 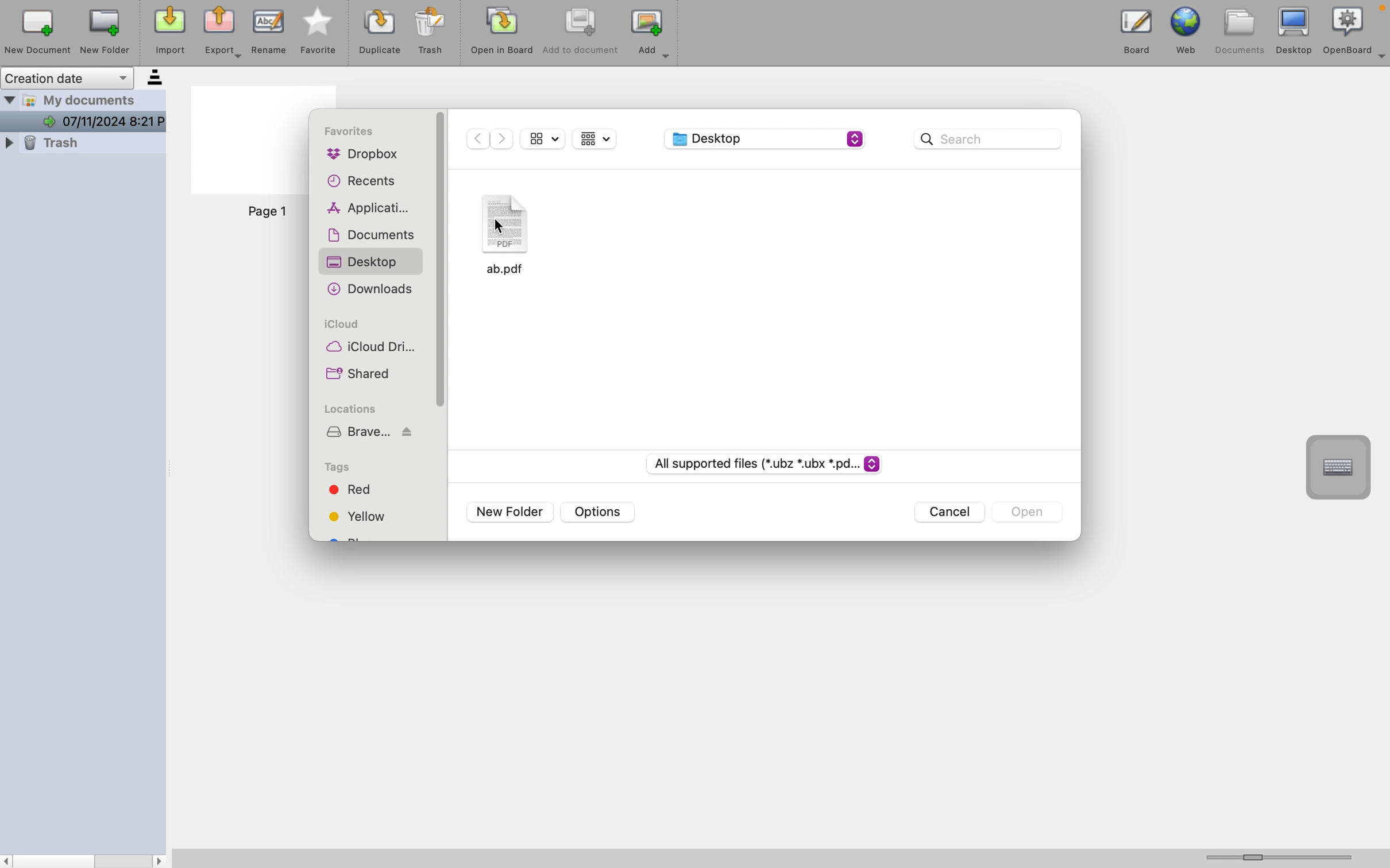 What do you see at coordinates (226, 33) in the screenshot?
I see `export` at bounding box center [226, 33].